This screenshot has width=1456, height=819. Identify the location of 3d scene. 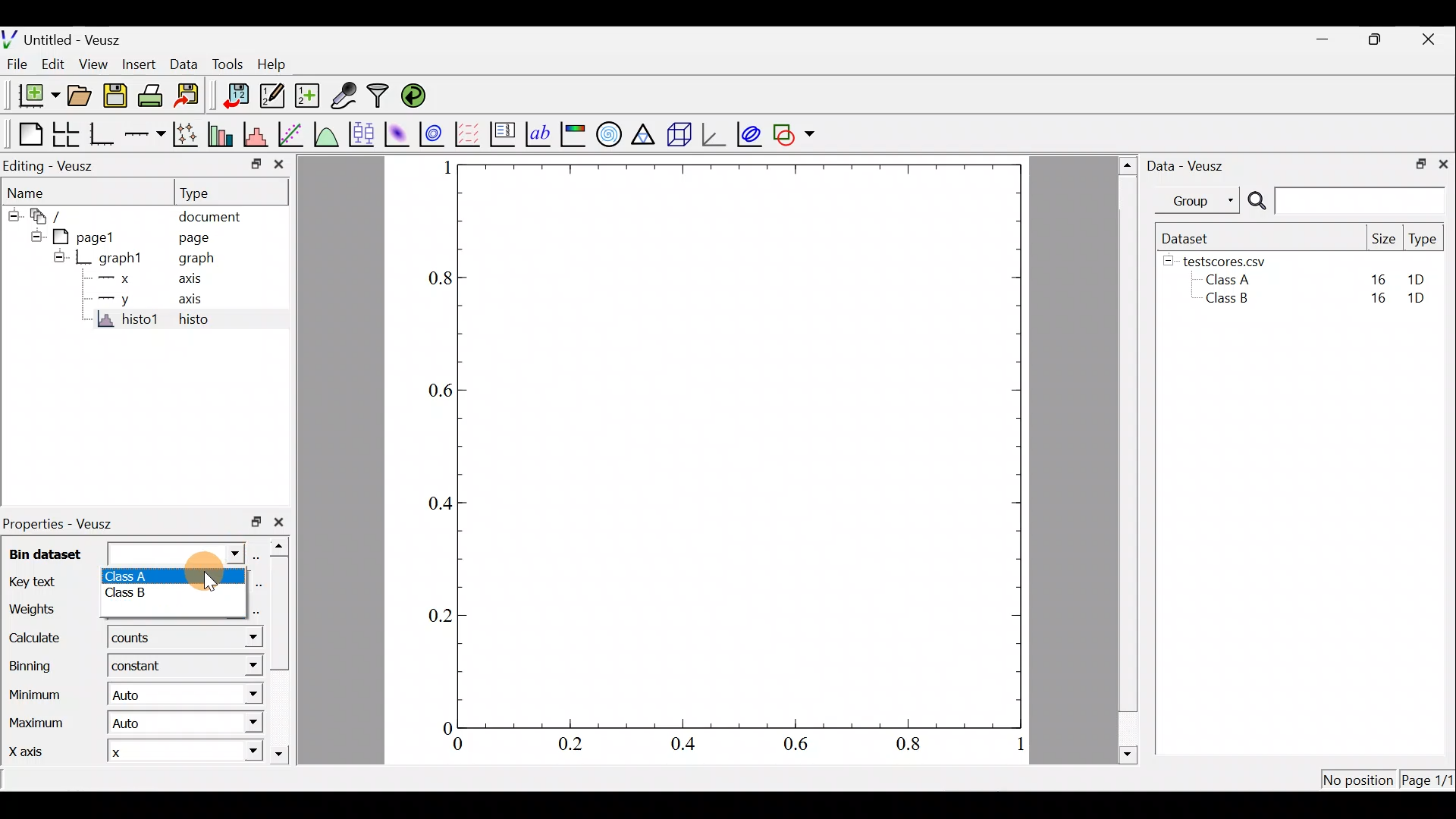
(679, 134).